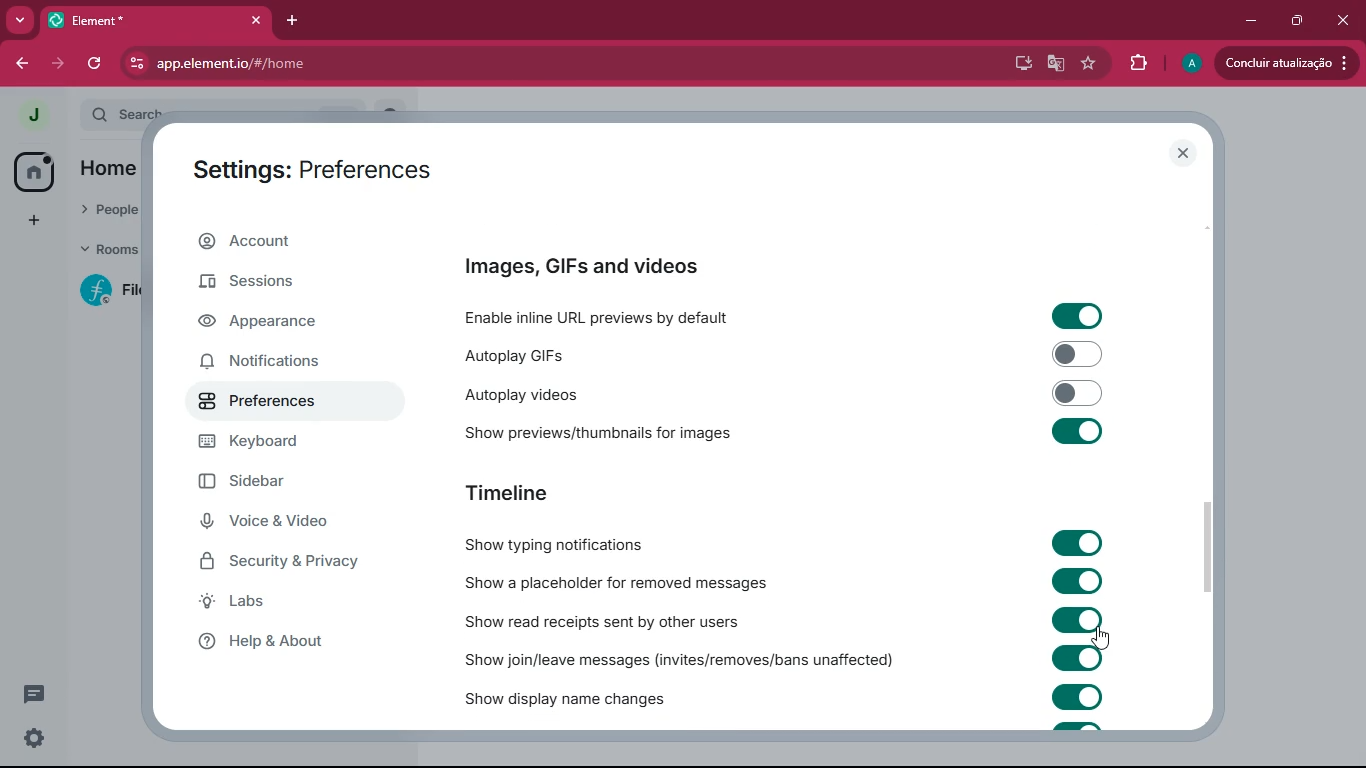  Describe the element at coordinates (552, 541) in the screenshot. I see `show typing notifications` at that location.